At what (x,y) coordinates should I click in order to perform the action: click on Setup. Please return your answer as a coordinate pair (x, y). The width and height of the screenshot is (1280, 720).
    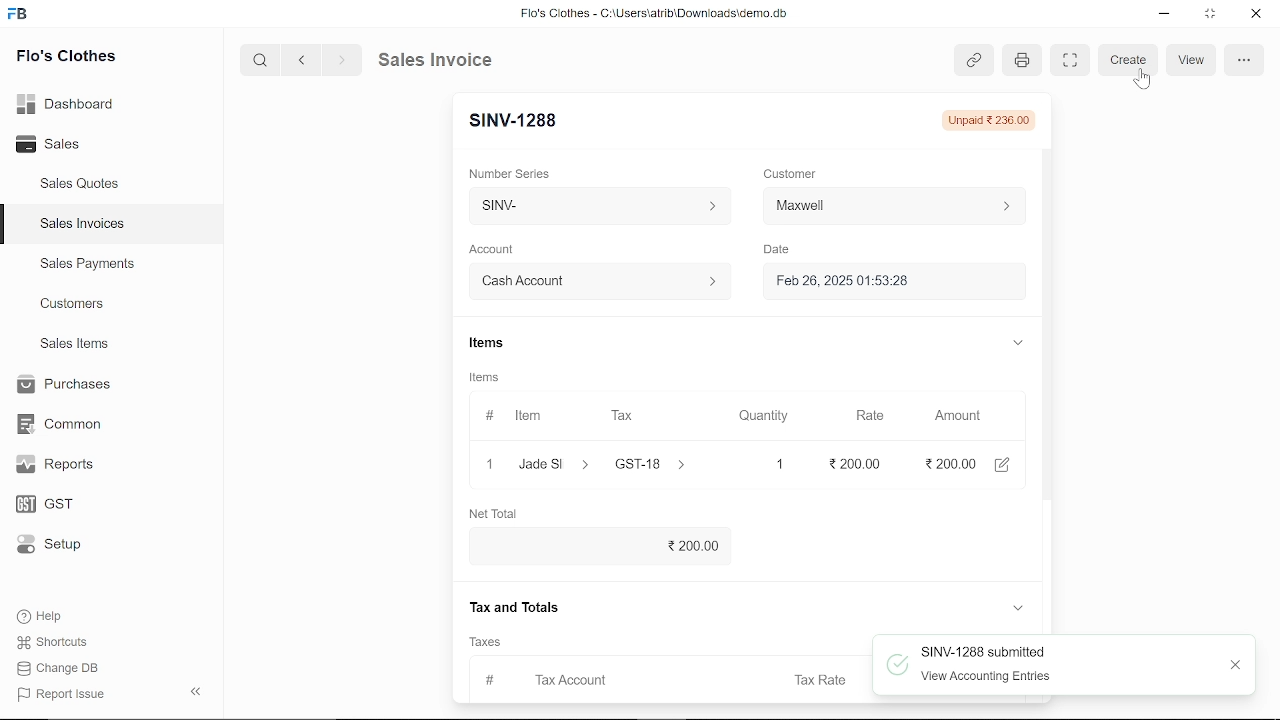
    Looking at the image, I should click on (63, 546).